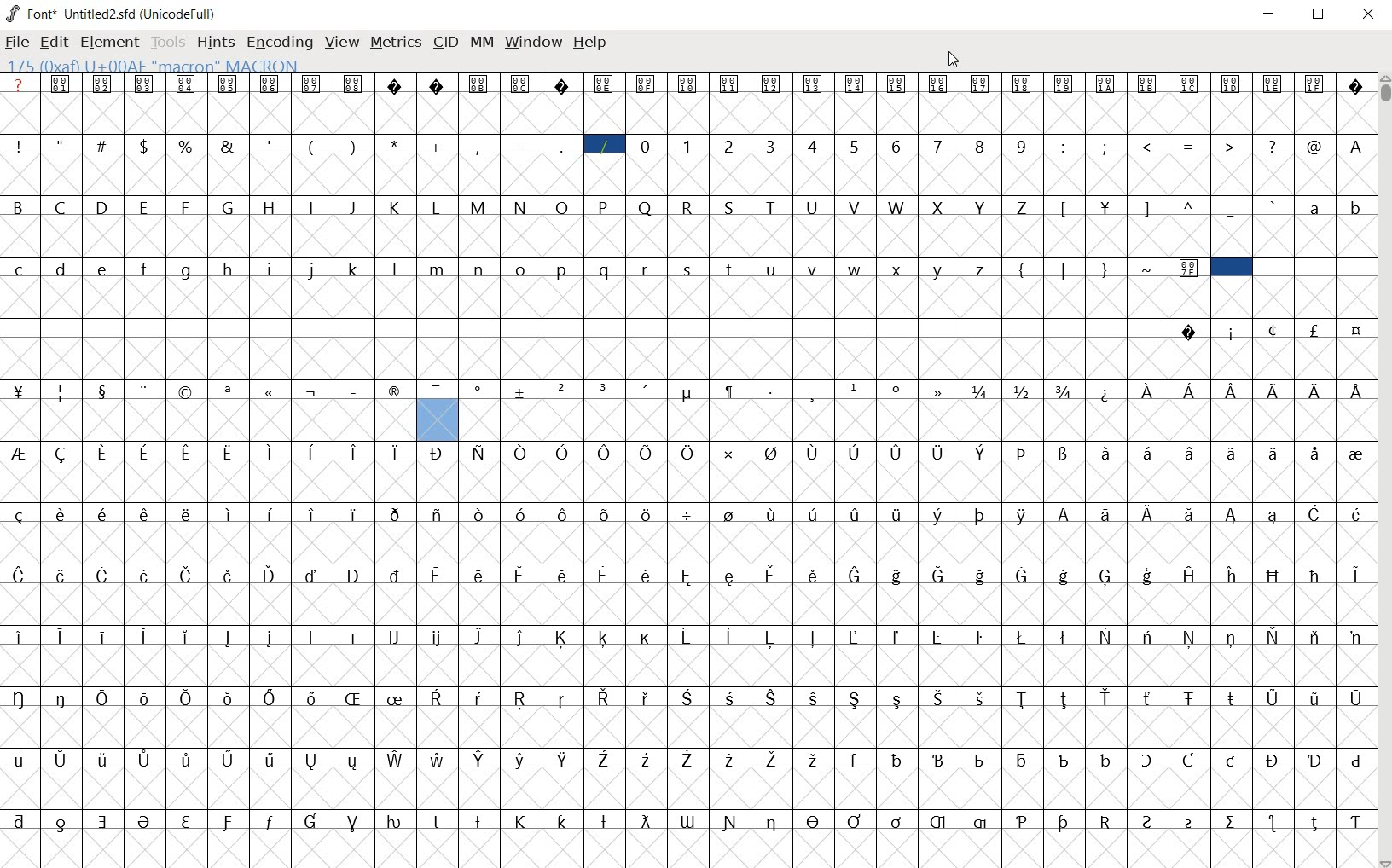 Image resolution: width=1392 pixels, height=868 pixels. Describe the element at coordinates (1023, 818) in the screenshot. I see `Symbol` at that location.